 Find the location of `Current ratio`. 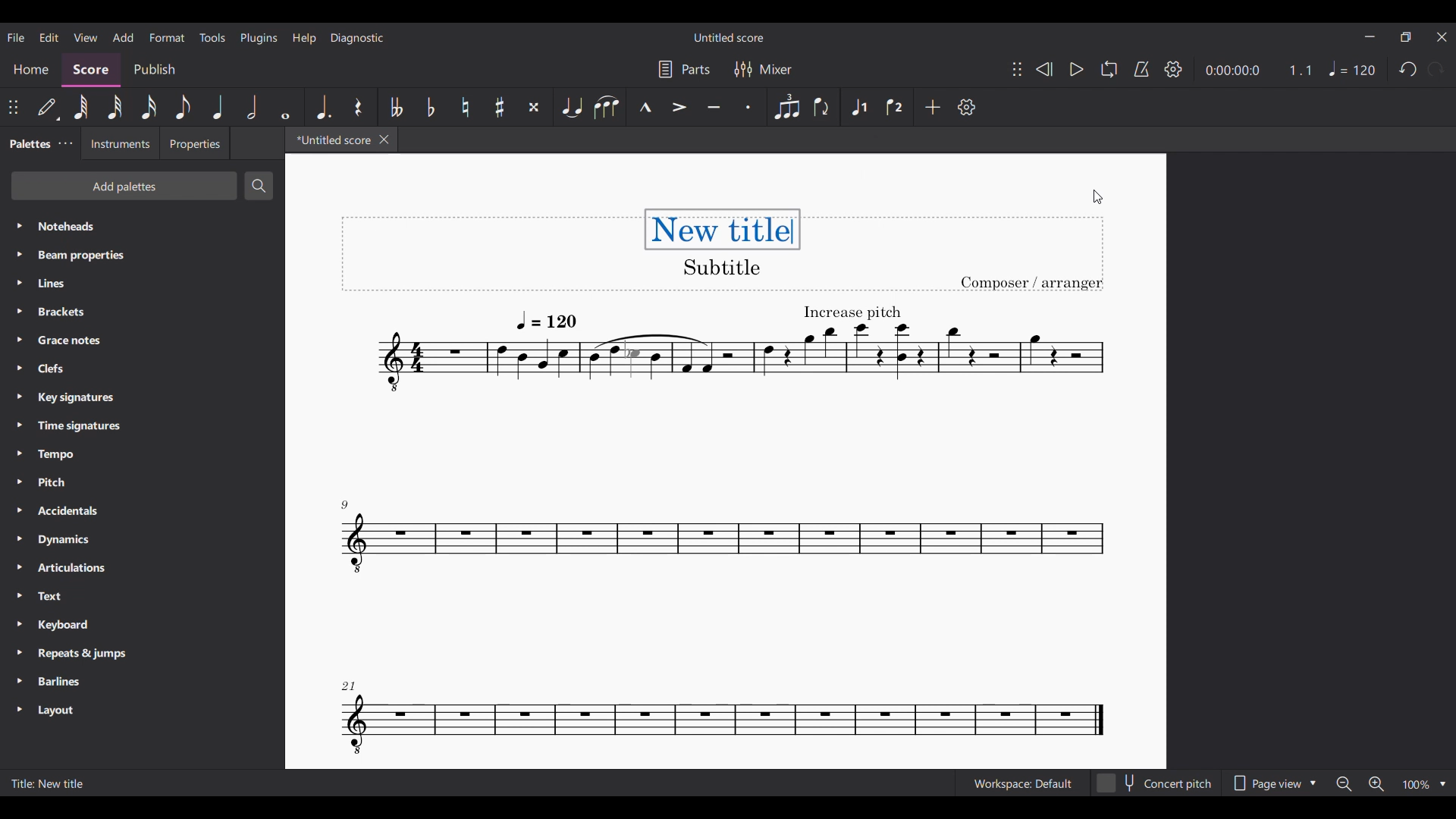

Current ratio is located at coordinates (1300, 70).